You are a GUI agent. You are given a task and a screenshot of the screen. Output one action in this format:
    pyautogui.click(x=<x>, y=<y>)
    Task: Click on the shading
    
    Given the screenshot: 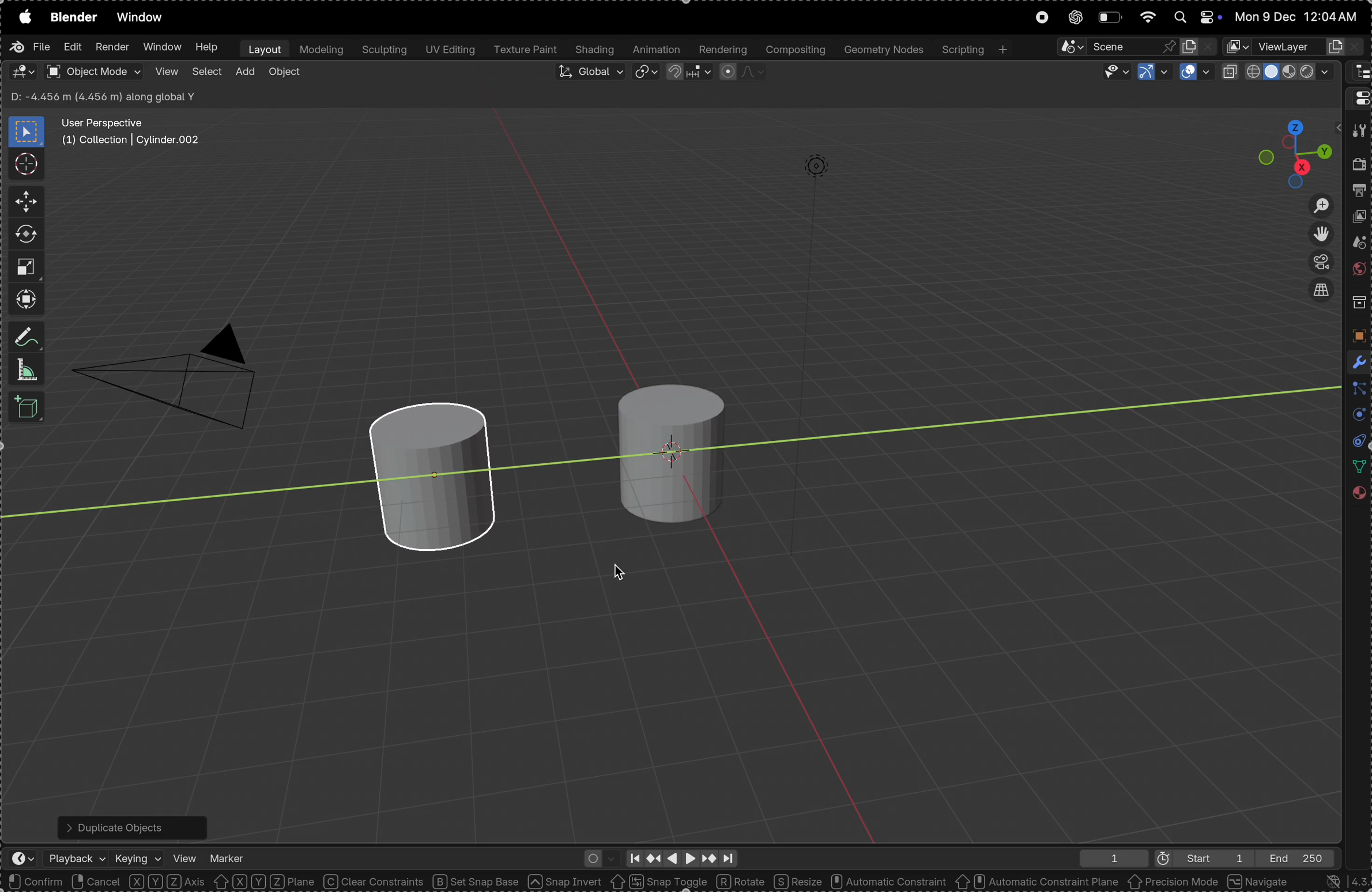 What is the action you would take?
    pyautogui.click(x=595, y=50)
    